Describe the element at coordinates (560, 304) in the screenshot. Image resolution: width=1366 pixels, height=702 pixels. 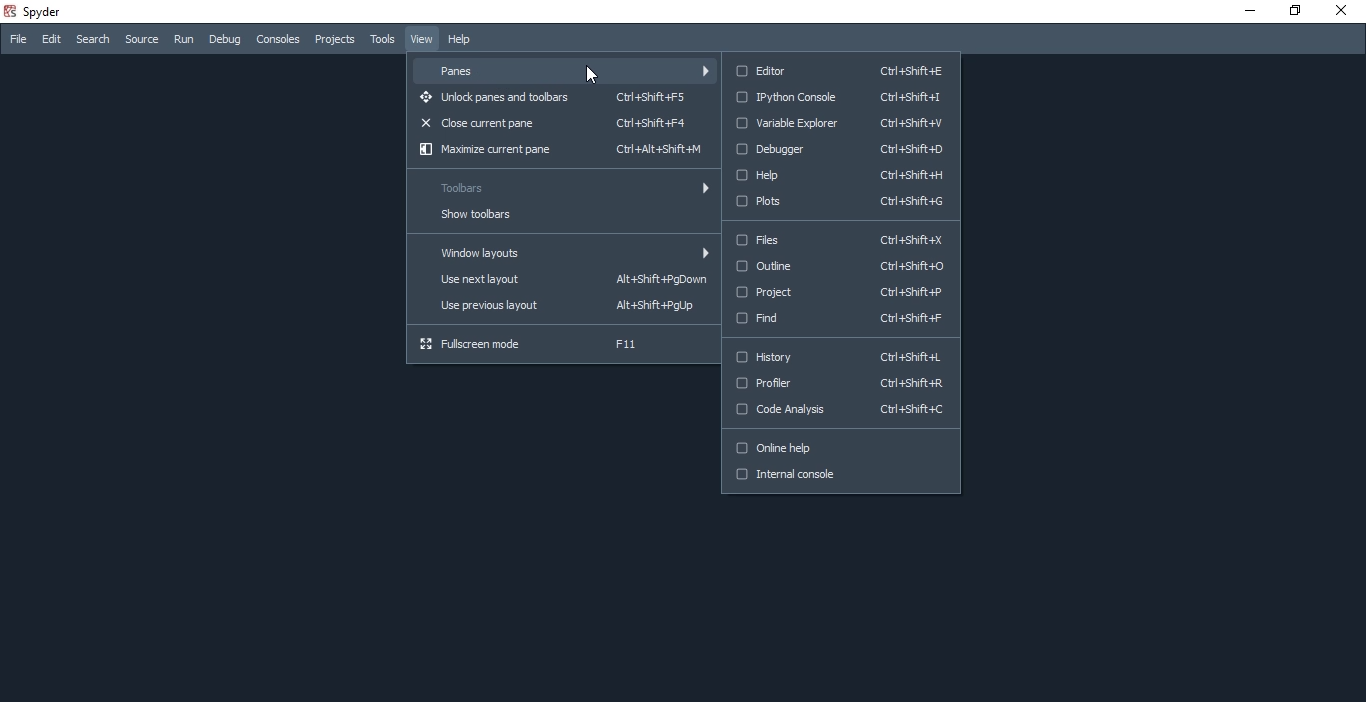
I see `Use previous layout` at that location.